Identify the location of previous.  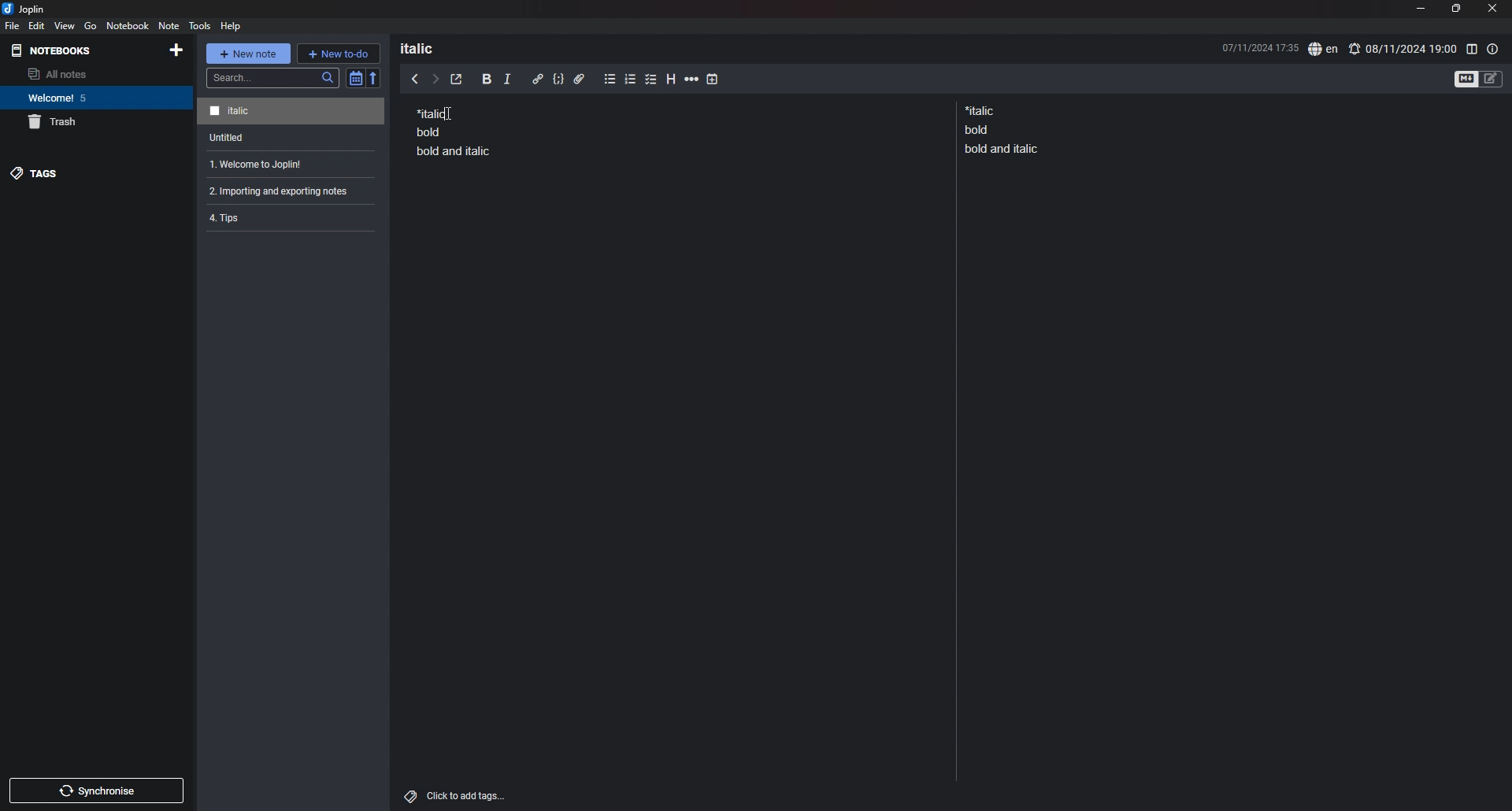
(415, 78).